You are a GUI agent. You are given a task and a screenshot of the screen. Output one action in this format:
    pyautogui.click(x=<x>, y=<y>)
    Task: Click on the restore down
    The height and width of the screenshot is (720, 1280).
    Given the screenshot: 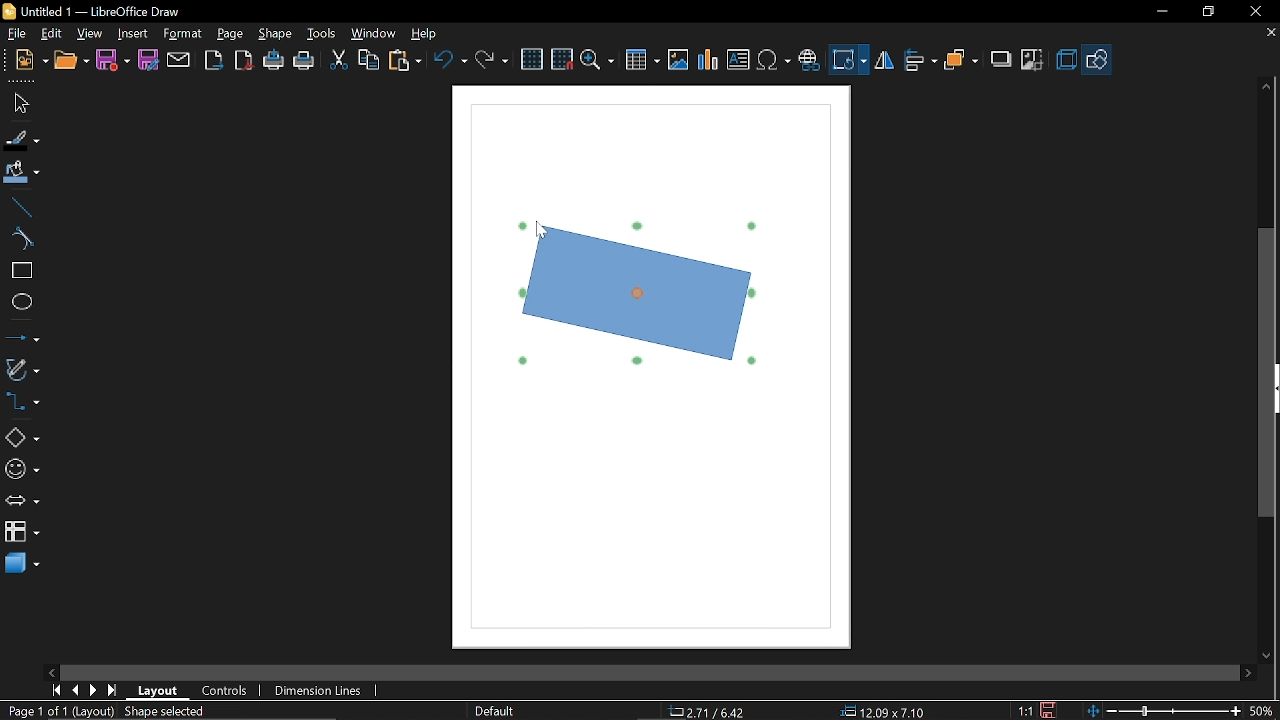 What is the action you would take?
    pyautogui.click(x=1208, y=12)
    